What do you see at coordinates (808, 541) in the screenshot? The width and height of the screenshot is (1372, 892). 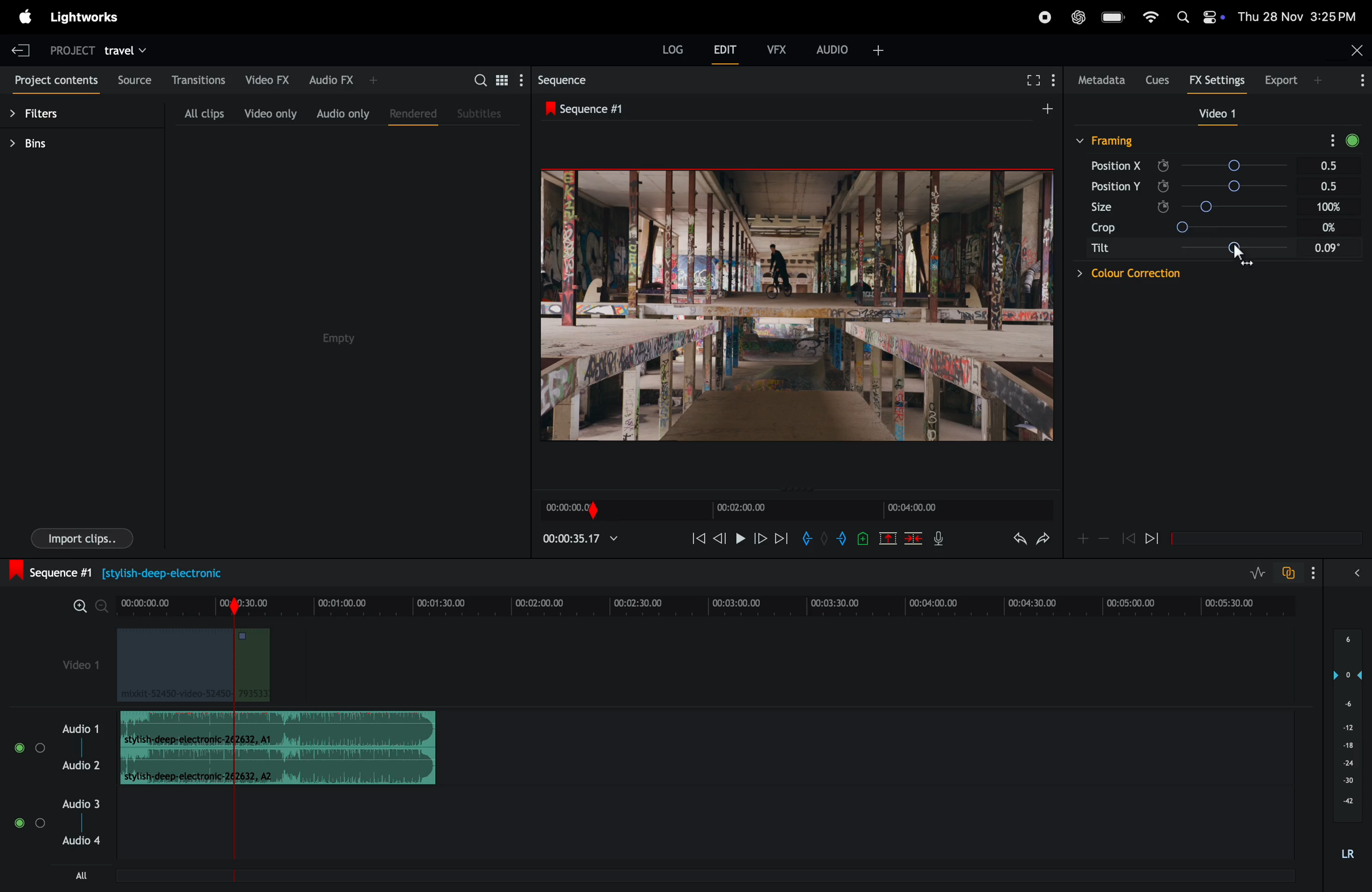 I see `add in mark` at bounding box center [808, 541].